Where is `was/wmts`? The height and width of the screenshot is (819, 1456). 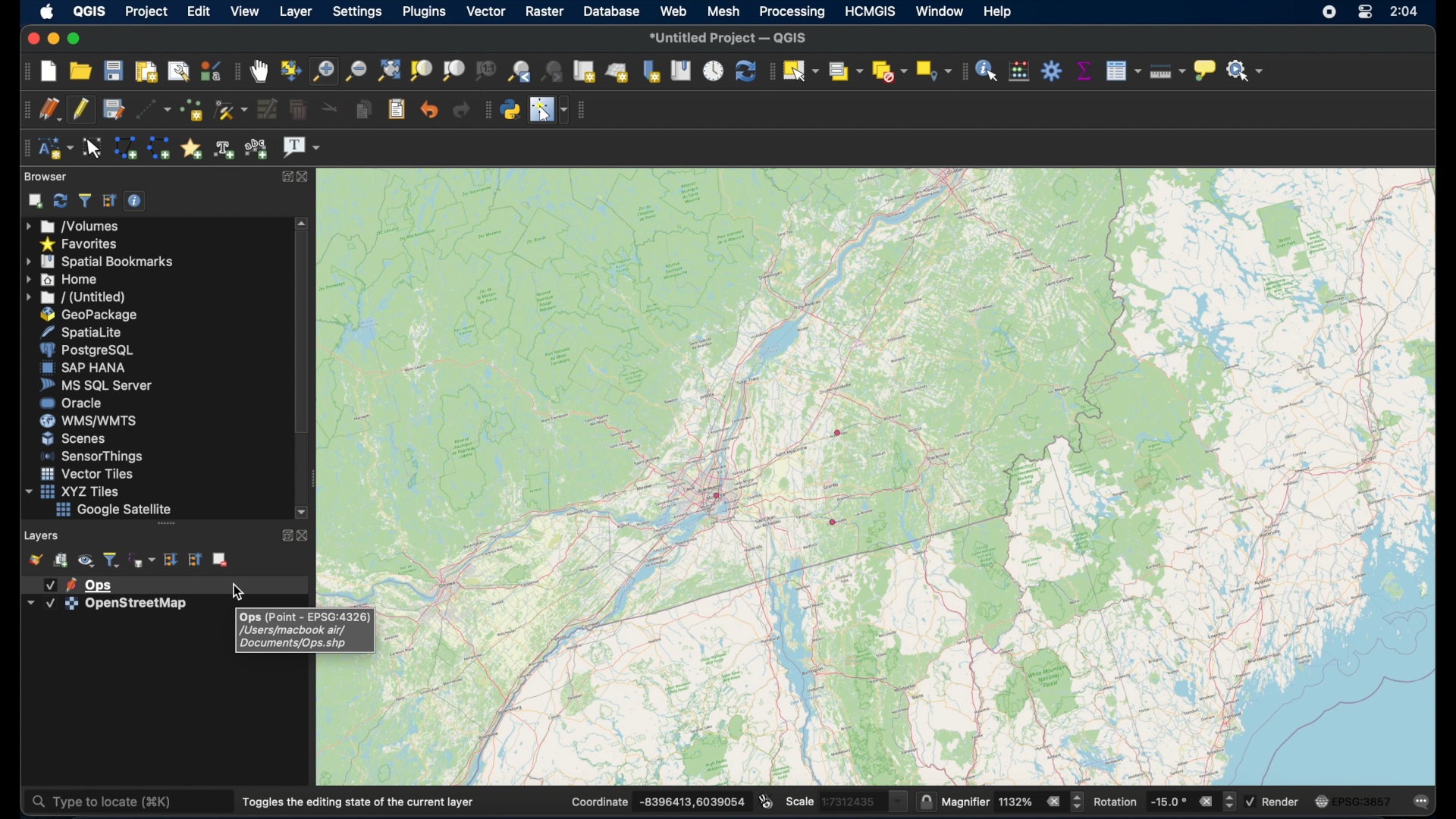
was/wmts is located at coordinates (85, 421).